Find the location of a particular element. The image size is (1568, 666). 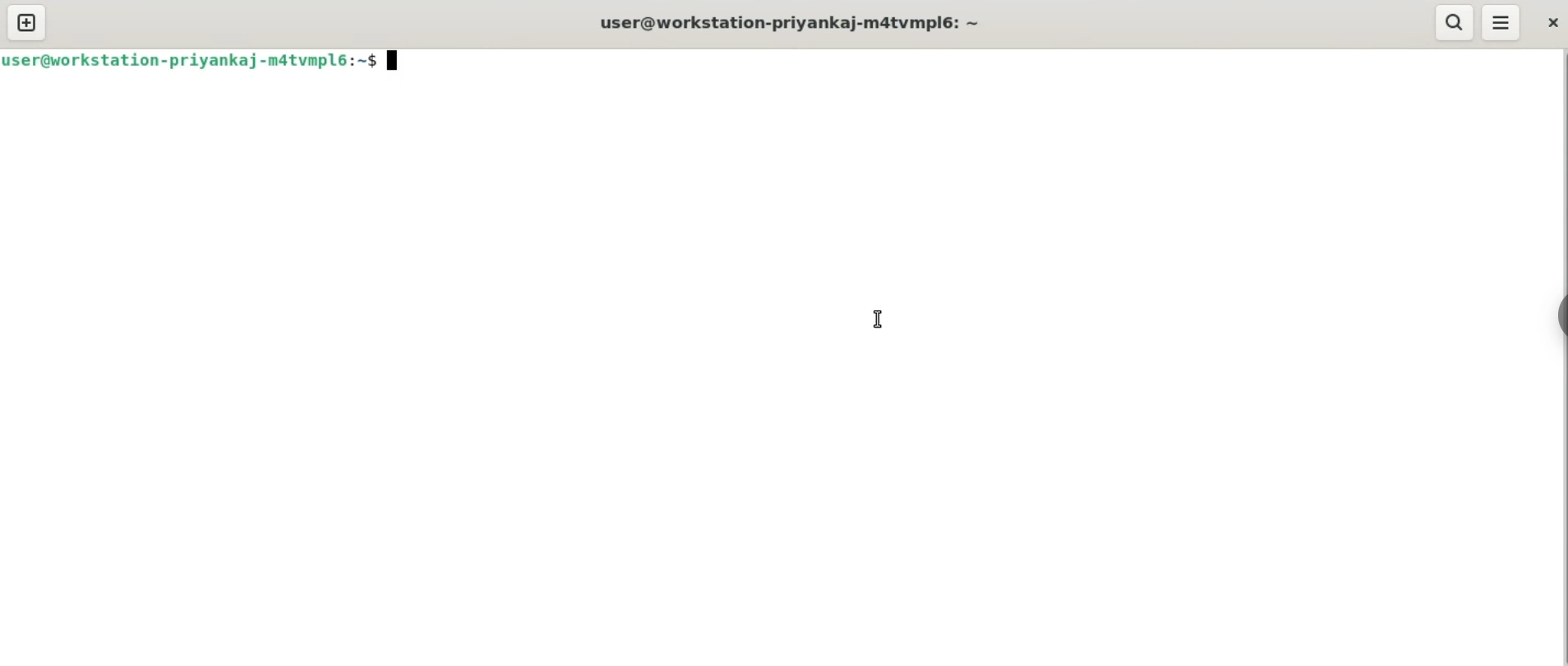

cursor is located at coordinates (876, 319).